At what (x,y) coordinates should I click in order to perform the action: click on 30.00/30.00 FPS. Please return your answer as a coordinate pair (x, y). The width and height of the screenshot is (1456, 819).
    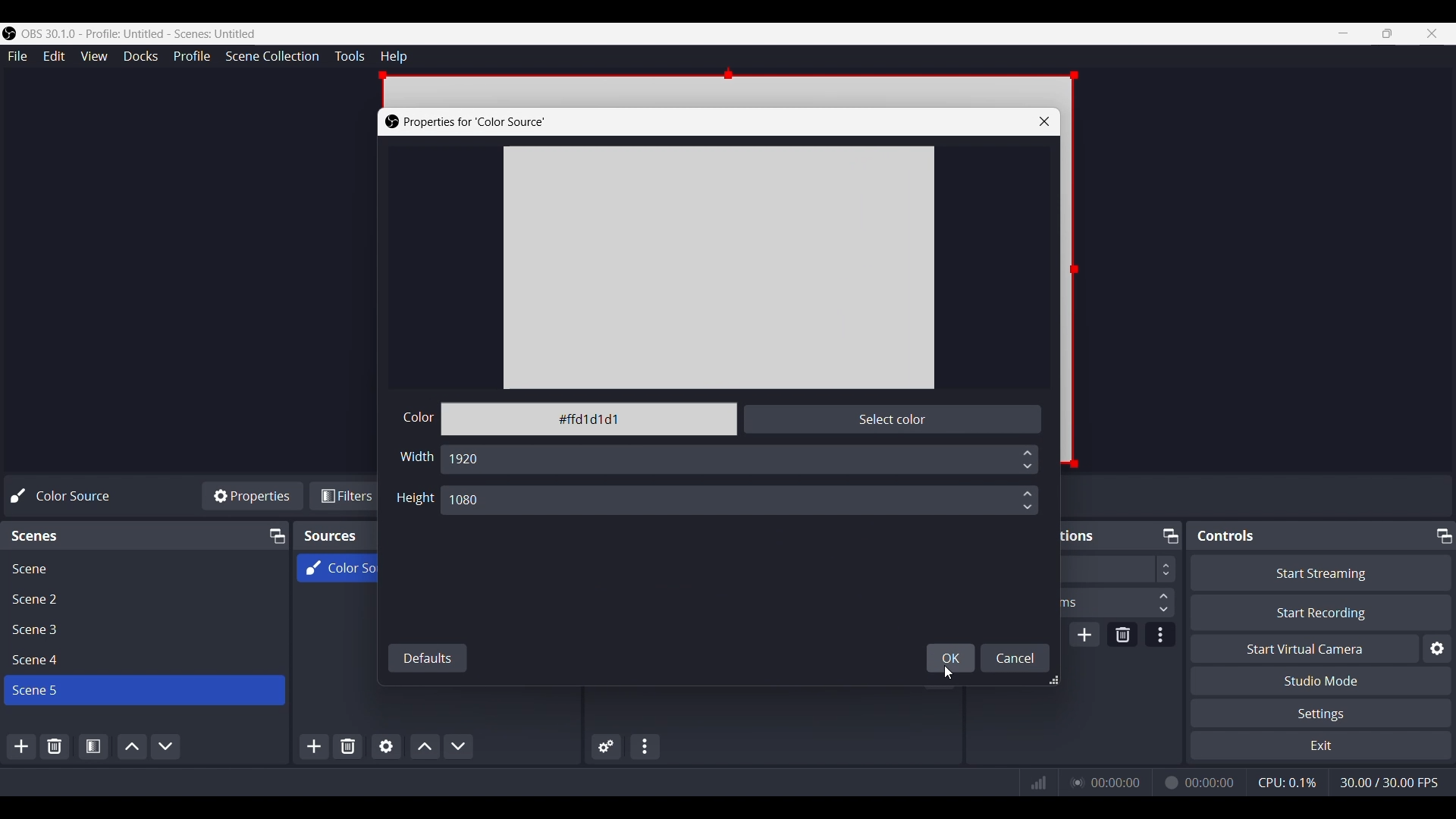
    Looking at the image, I should click on (1389, 782).